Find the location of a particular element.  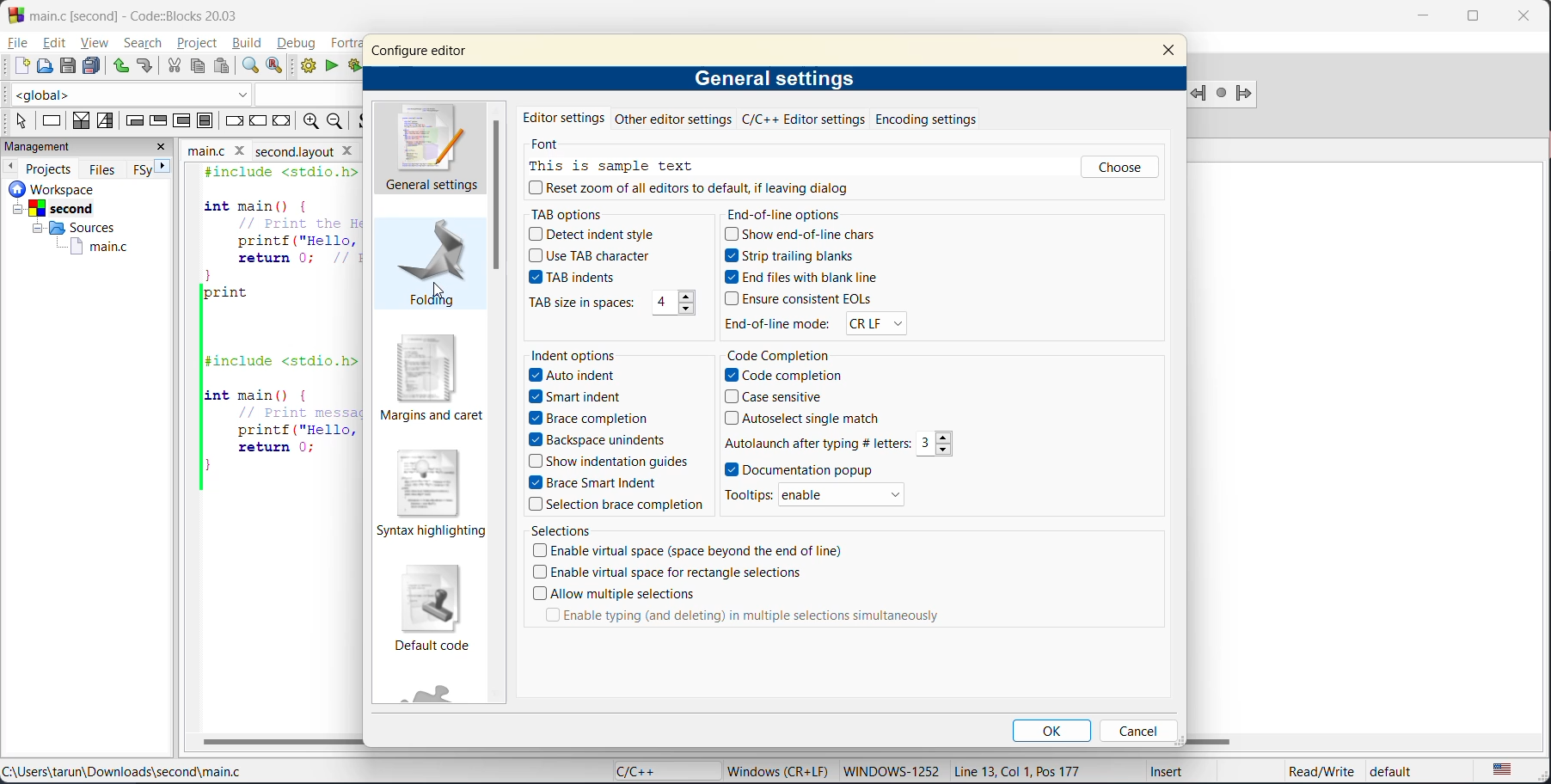

main.c is located at coordinates (89, 247).